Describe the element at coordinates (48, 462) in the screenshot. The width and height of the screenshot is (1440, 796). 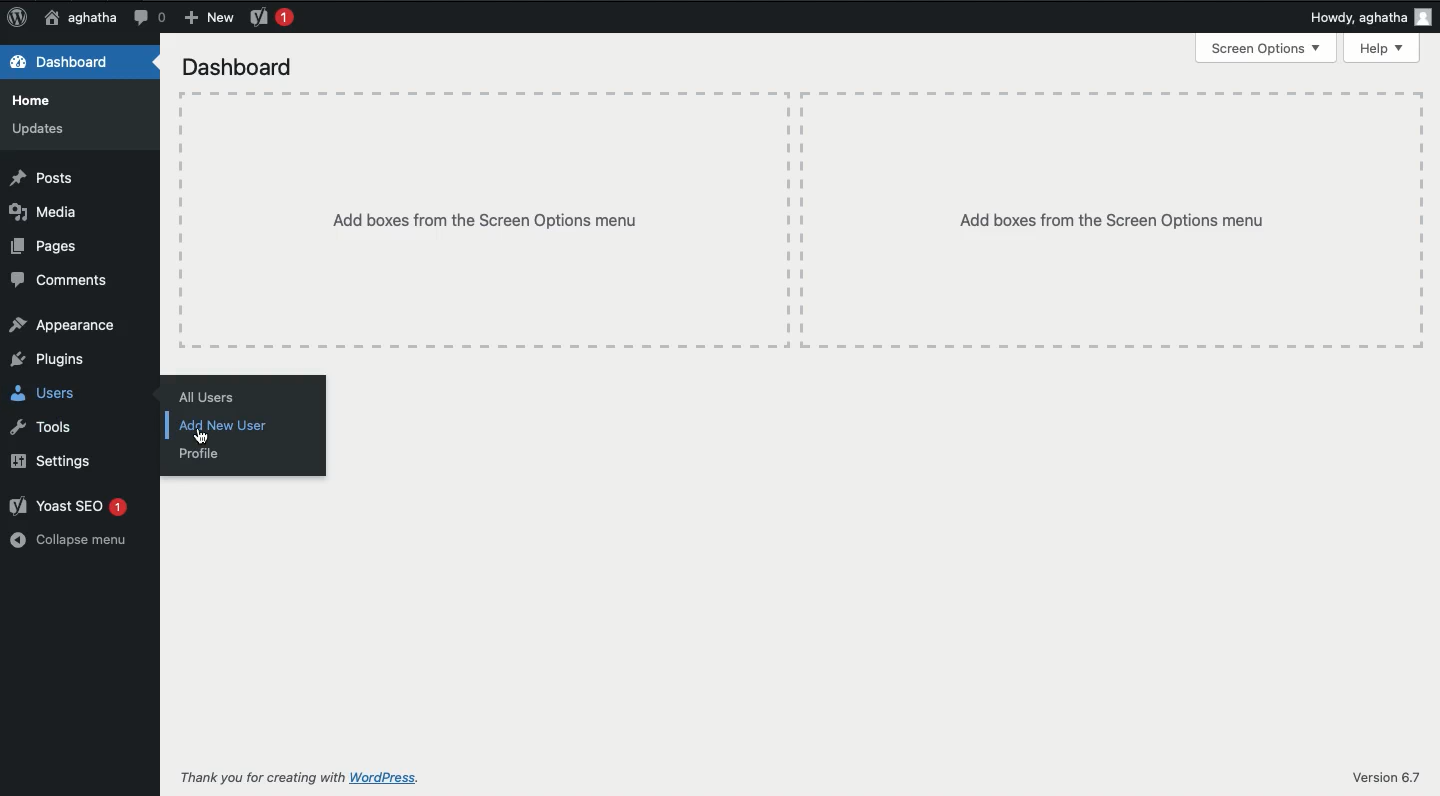
I see `Settings` at that location.